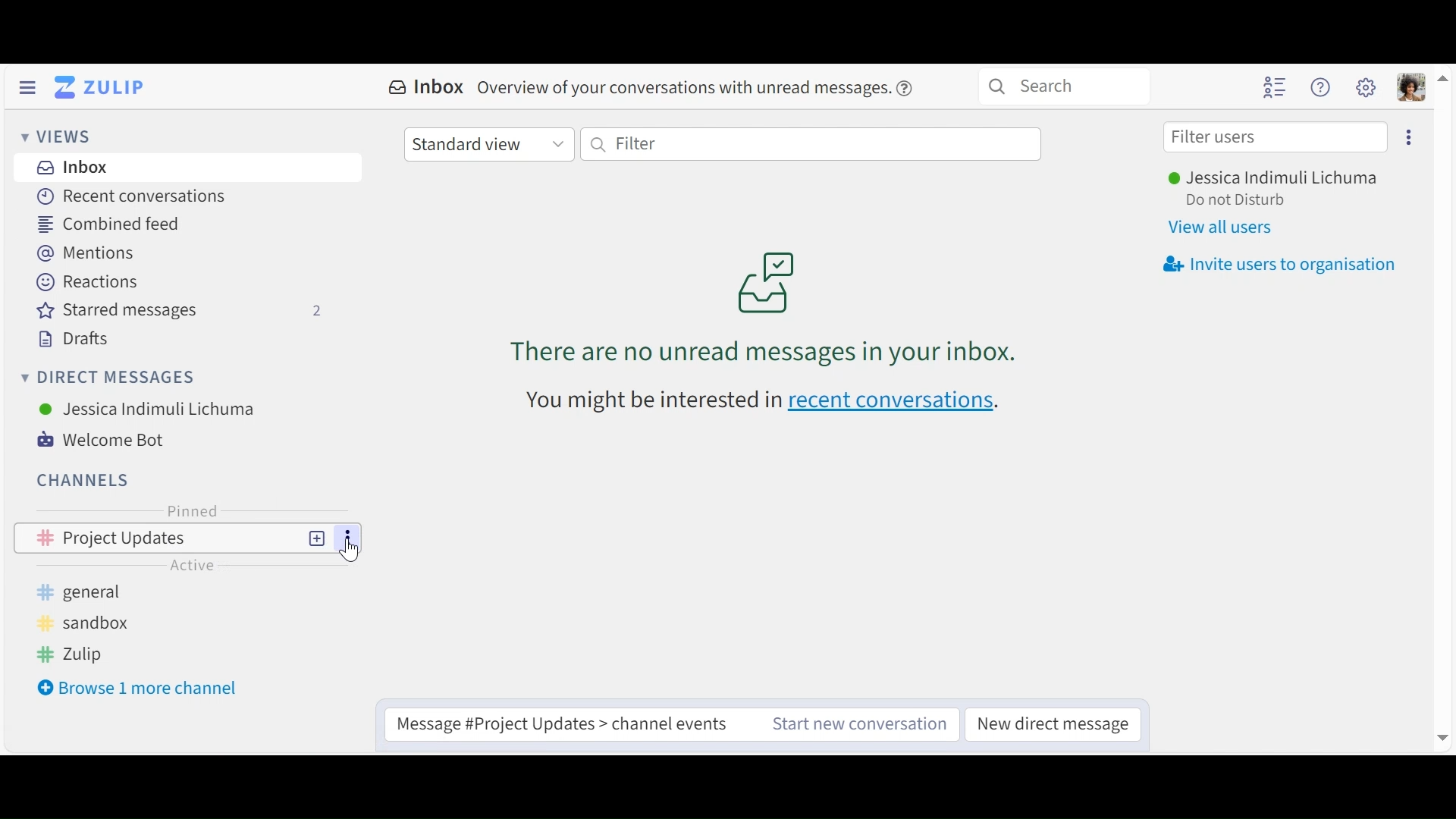  I want to click on Search, so click(1062, 85).